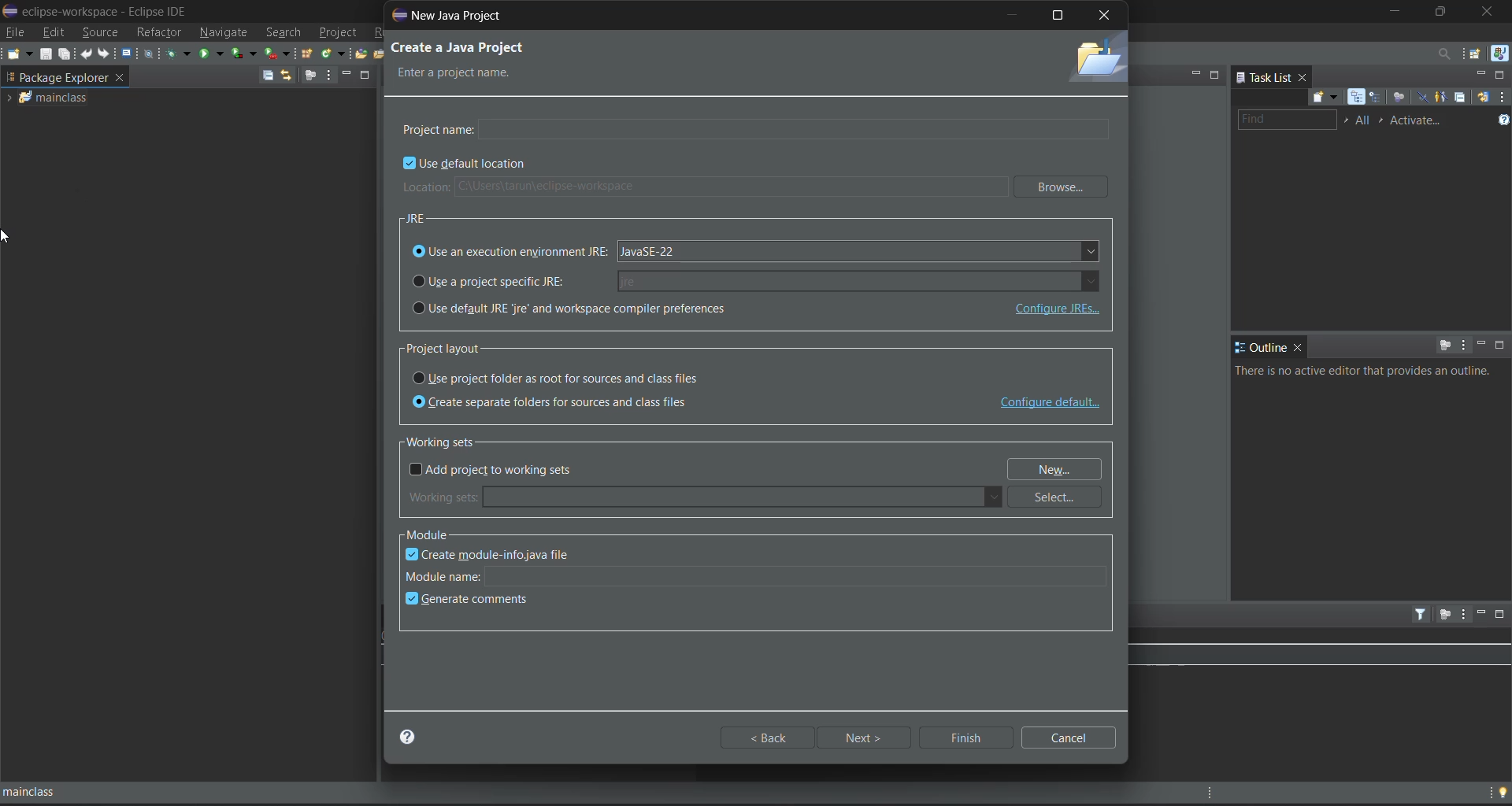 Image resolution: width=1512 pixels, height=806 pixels. I want to click on mainclass, so click(58, 793).